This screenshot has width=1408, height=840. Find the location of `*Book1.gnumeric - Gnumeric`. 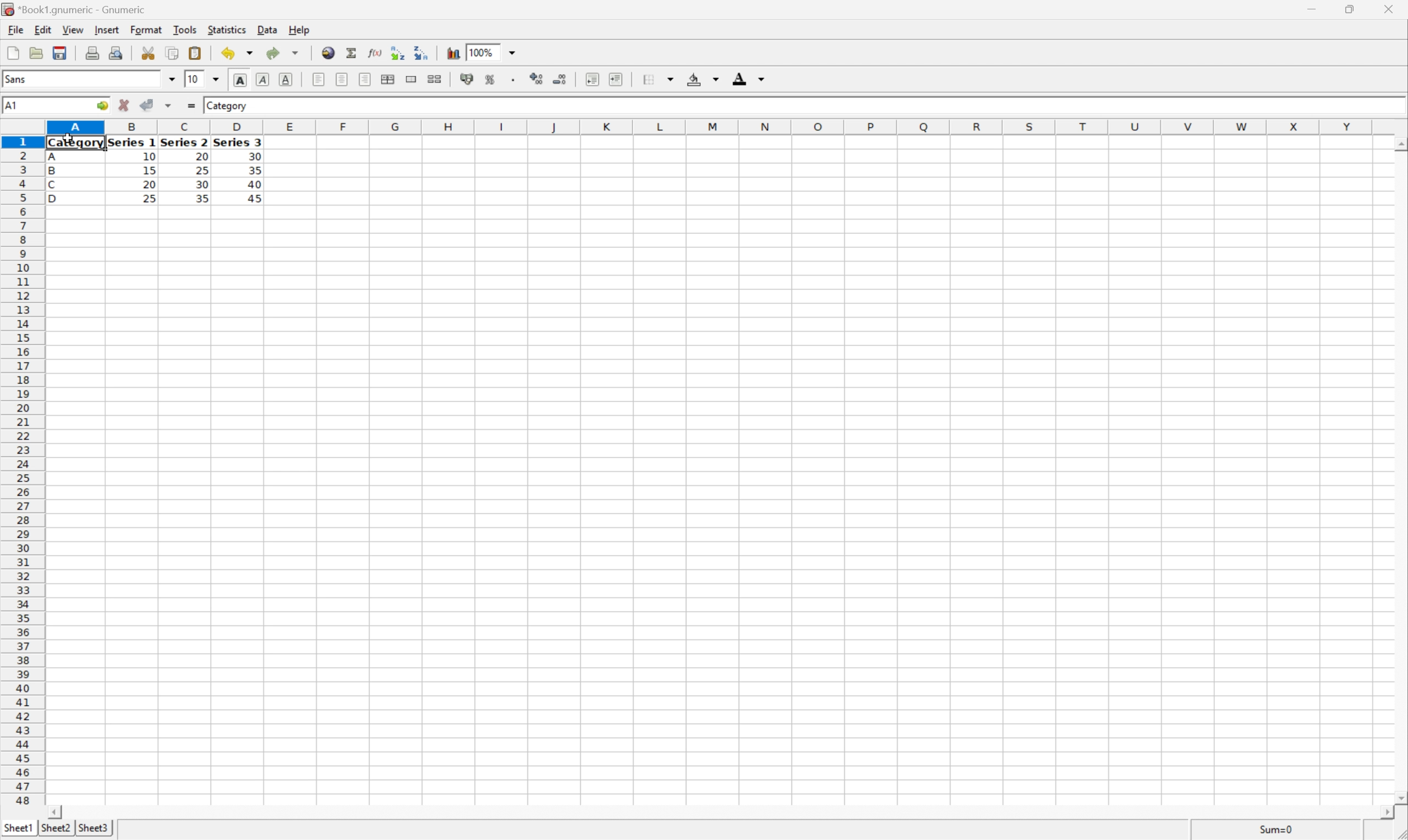

*Book1.gnumeric - Gnumeric is located at coordinates (76, 9).